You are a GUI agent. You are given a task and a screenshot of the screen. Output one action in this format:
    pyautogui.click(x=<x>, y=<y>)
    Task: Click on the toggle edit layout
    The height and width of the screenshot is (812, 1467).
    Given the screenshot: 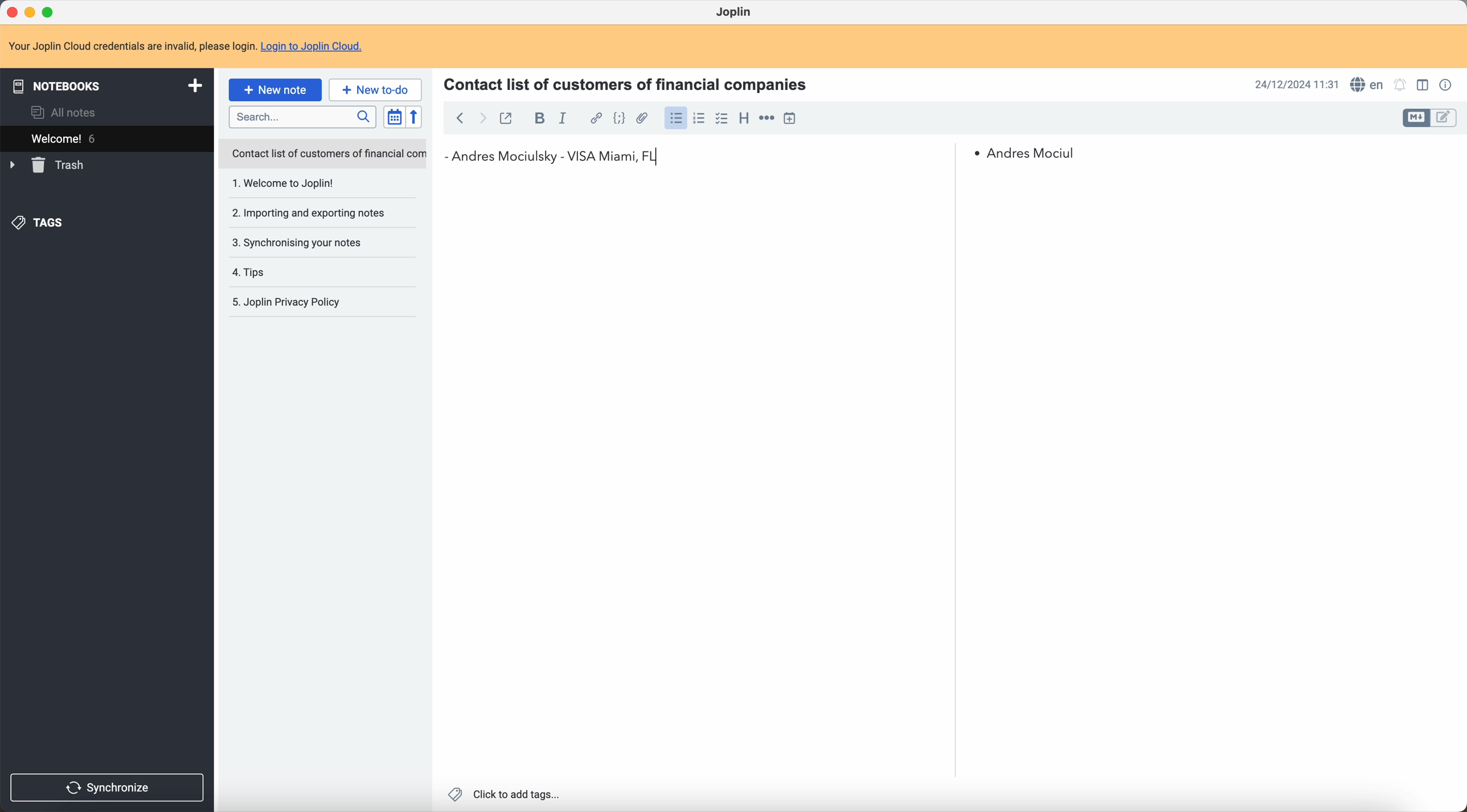 What is the action you would take?
    pyautogui.click(x=1422, y=84)
    